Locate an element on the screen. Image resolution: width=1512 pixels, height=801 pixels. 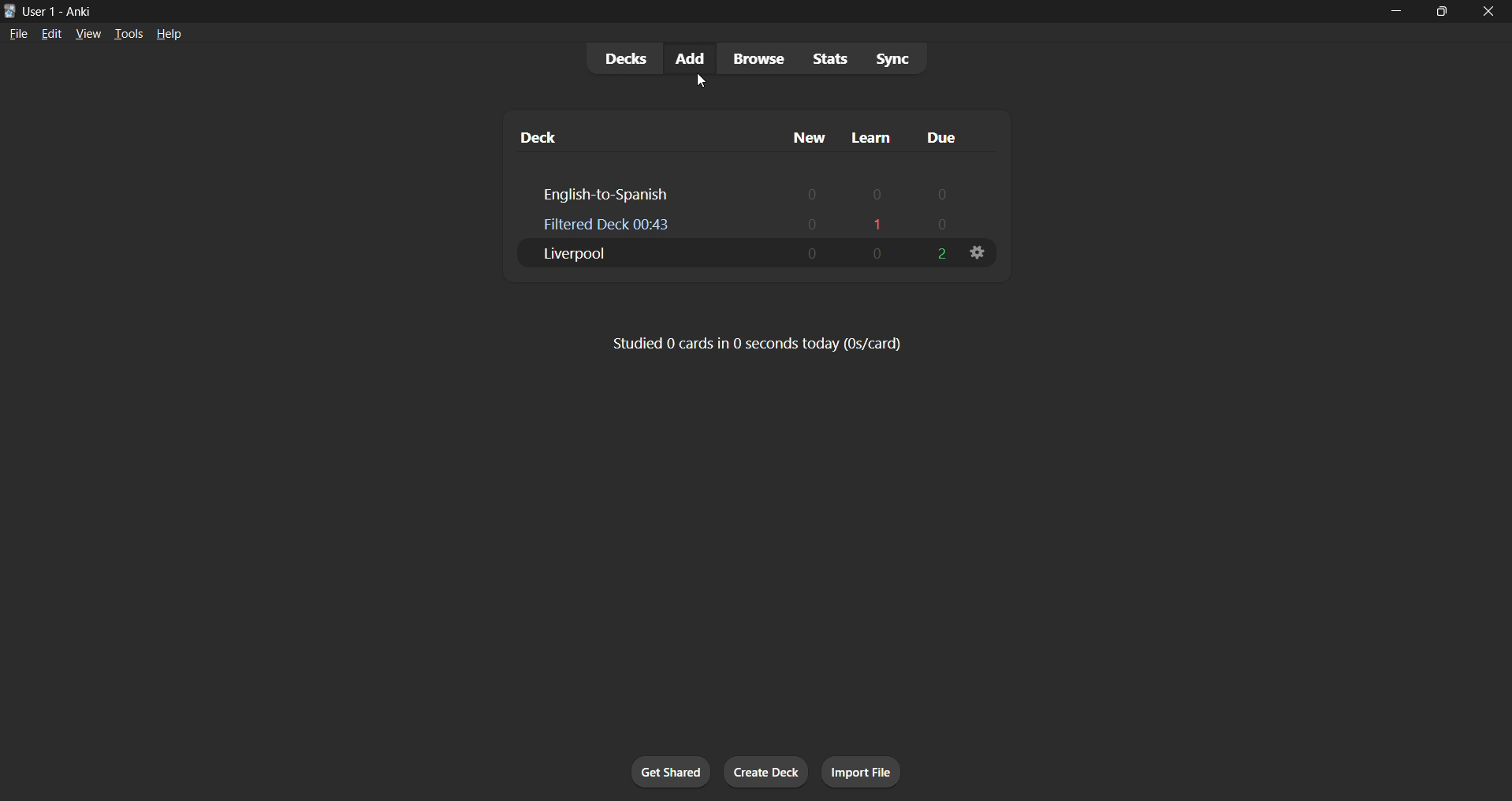
browse is located at coordinates (752, 58).